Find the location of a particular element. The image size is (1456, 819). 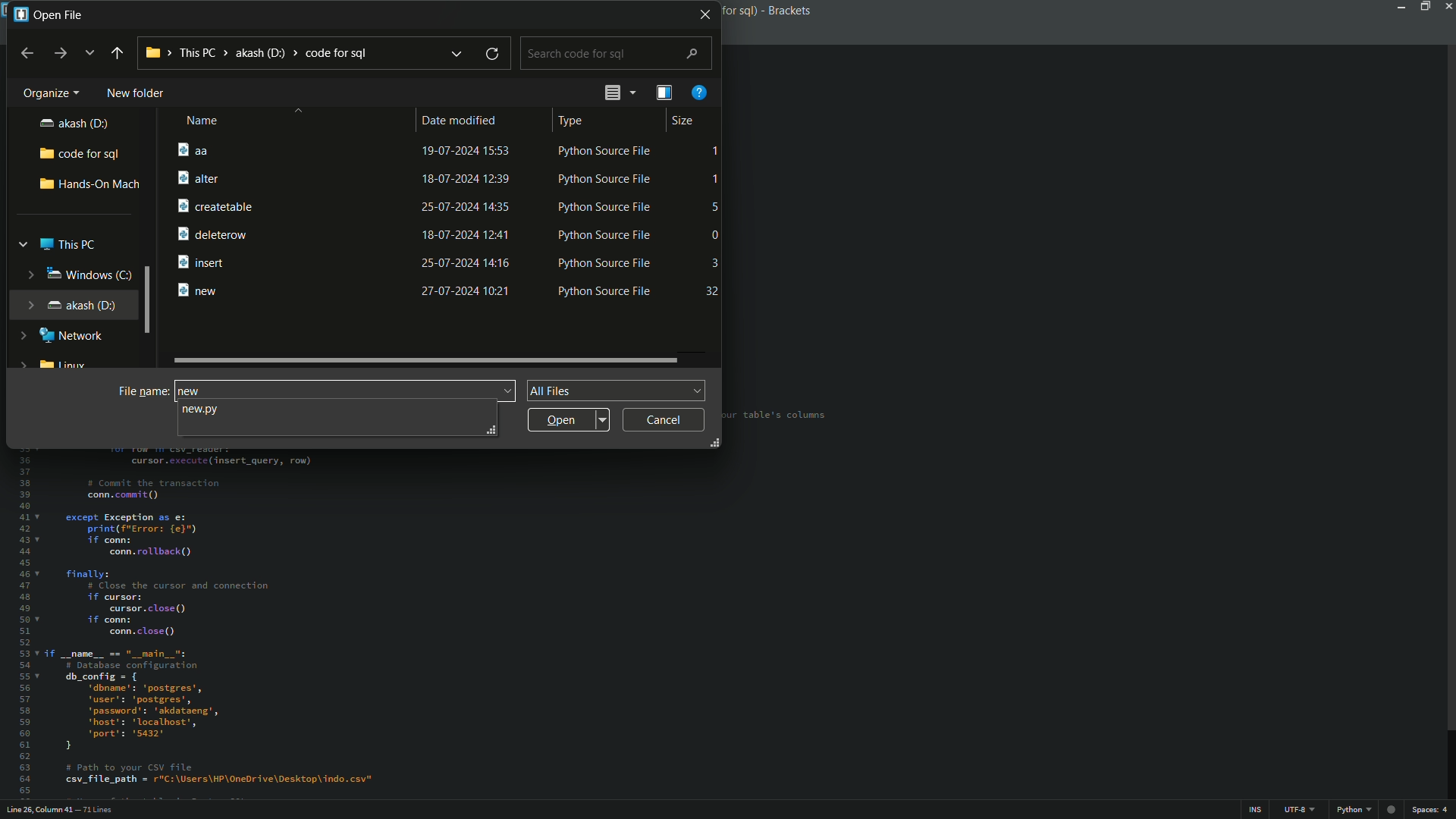

this pc is located at coordinates (59, 243).